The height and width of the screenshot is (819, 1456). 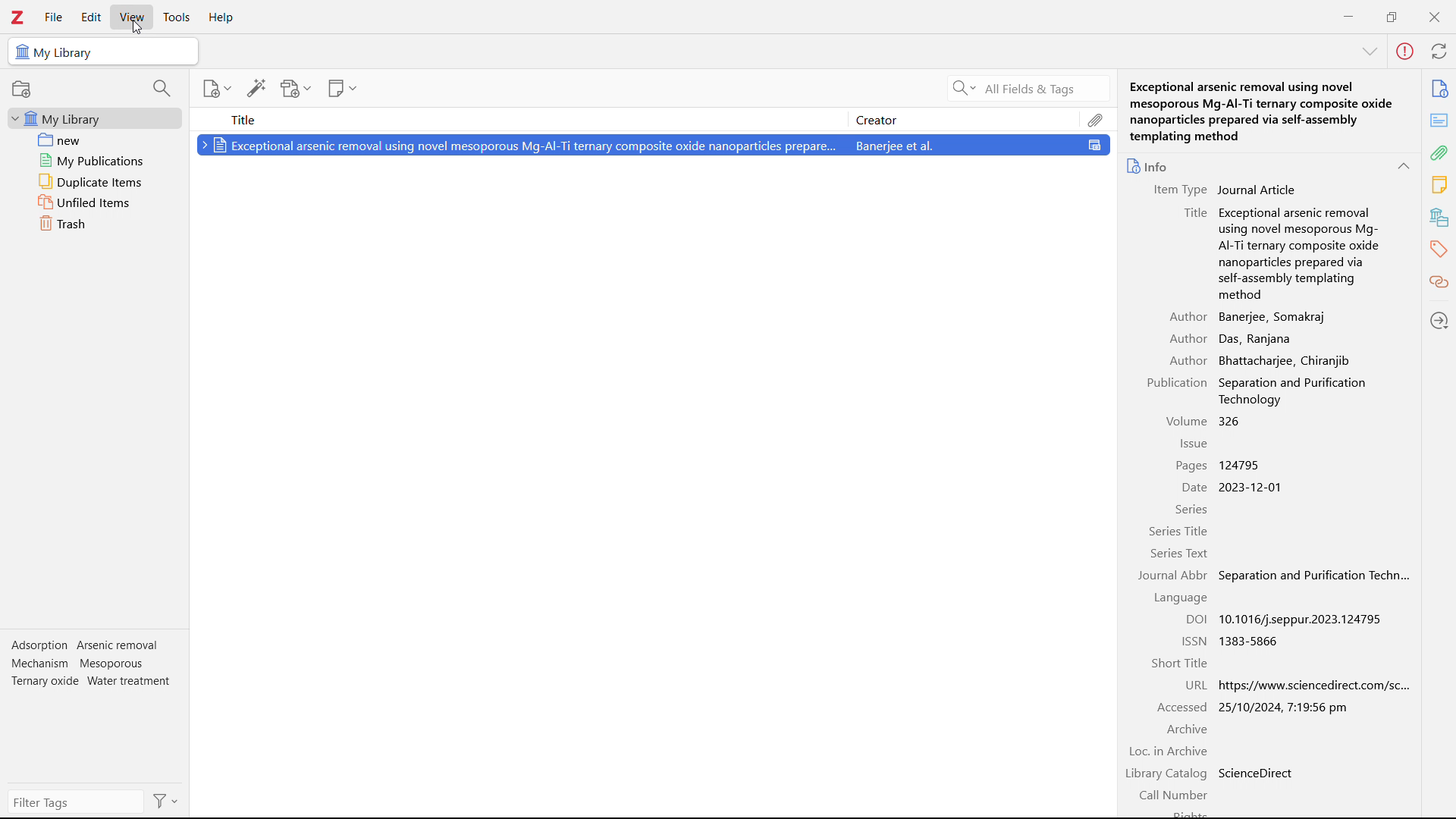 What do you see at coordinates (1178, 662) in the screenshot?
I see `Short Title` at bounding box center [1178, 662].